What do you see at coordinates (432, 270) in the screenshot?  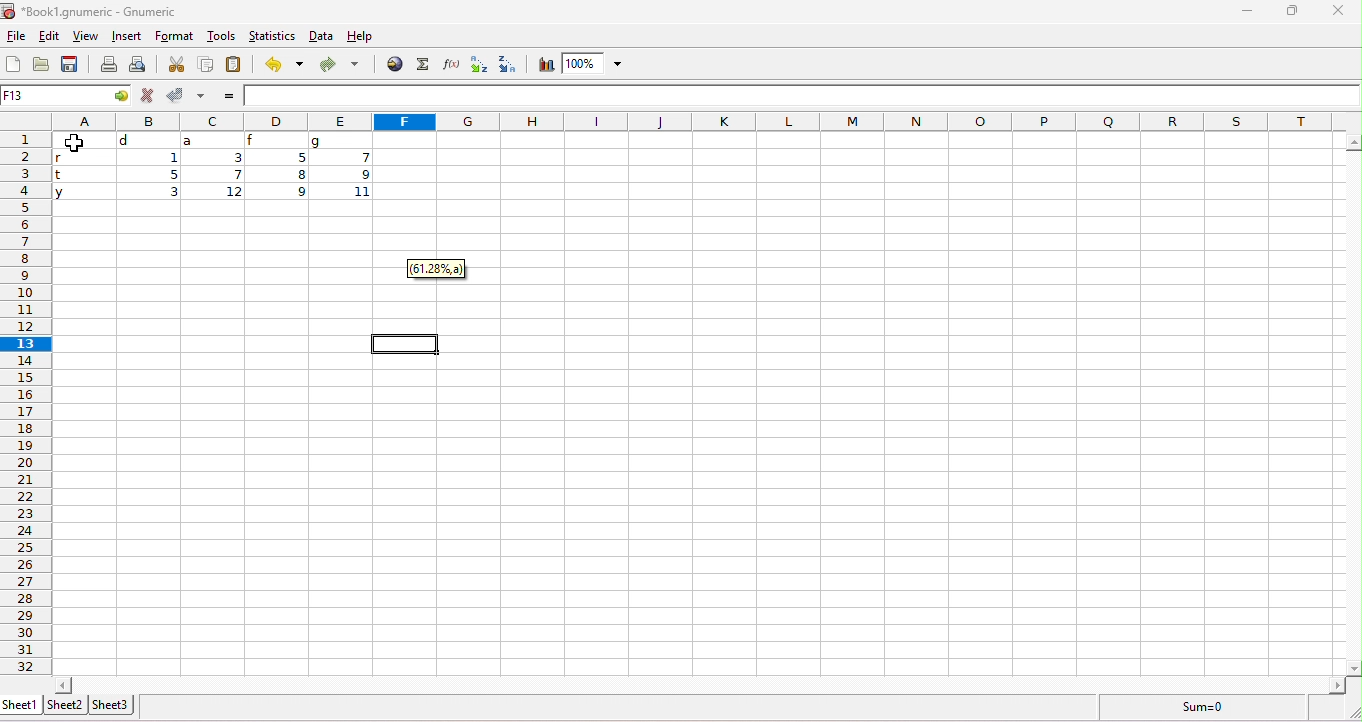 I see `61.28%` at bounding box center [432, 270].